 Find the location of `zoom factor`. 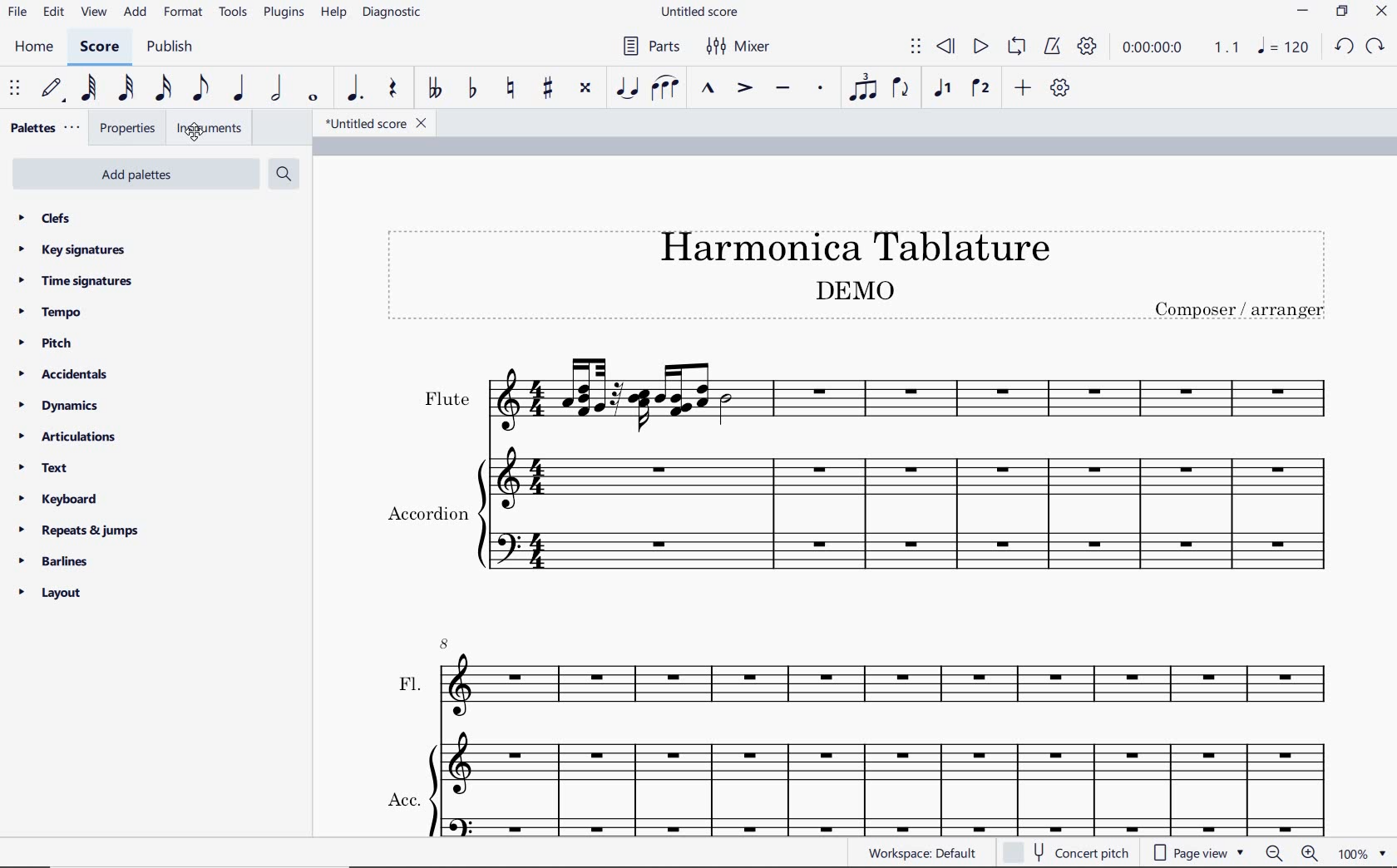

zoom factor is located at coordinates (1363, 853).